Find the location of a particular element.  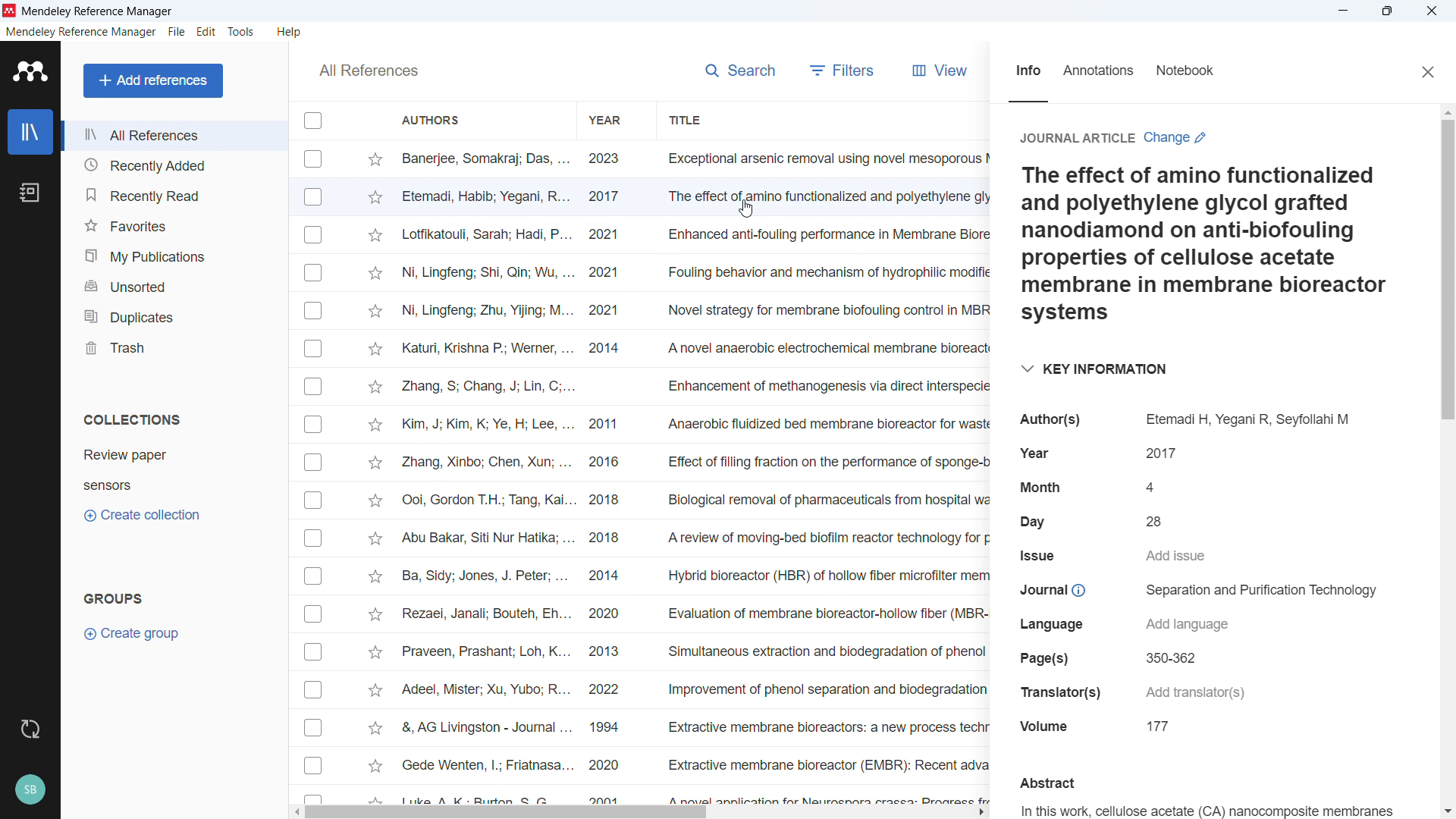

Recently read  is located at coordinates (173, 195).